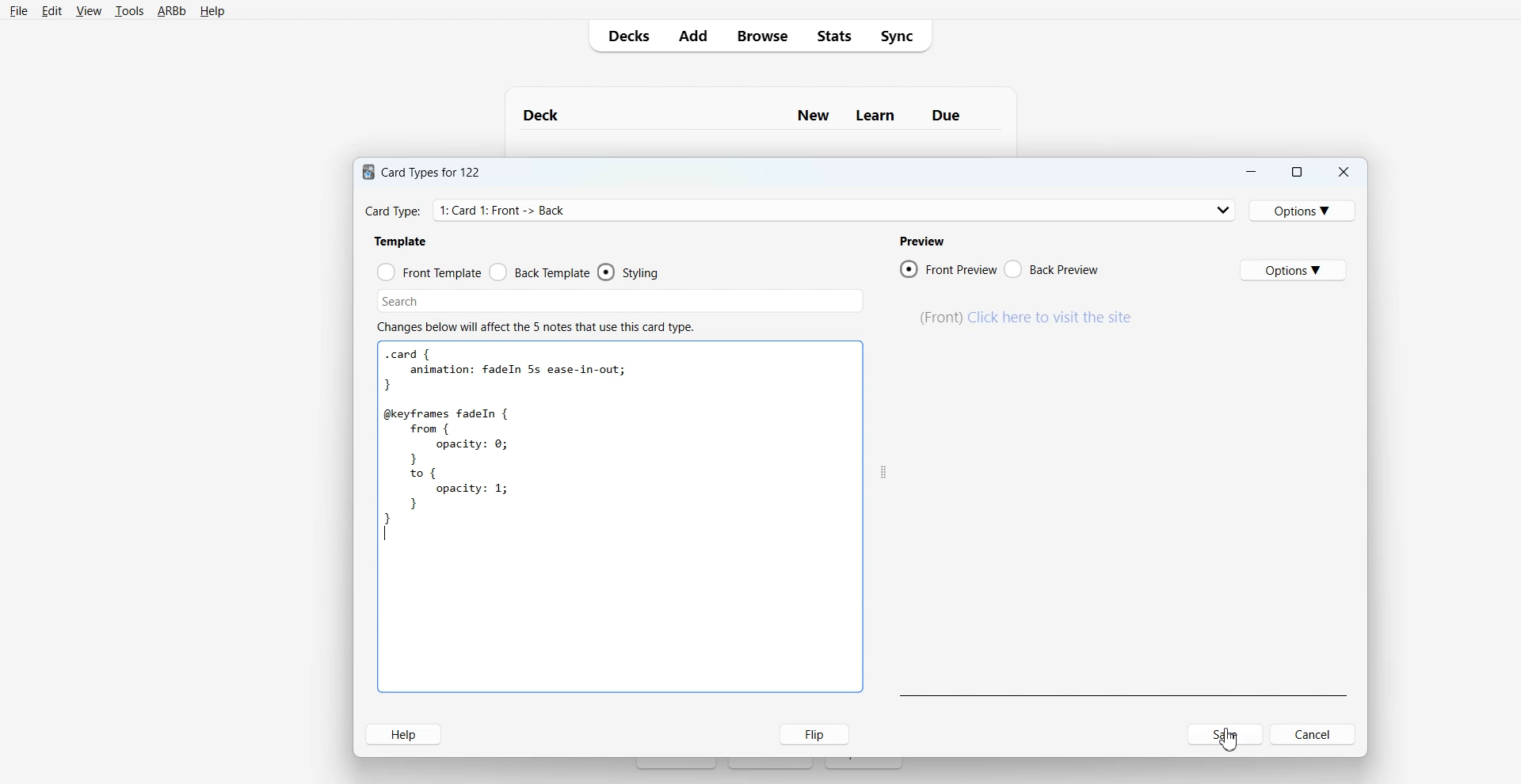 The width and height of the screenshot is (1521, 784). Describe the element at coordinates (405, 733) in the screenshot. I see `Help` at that location.